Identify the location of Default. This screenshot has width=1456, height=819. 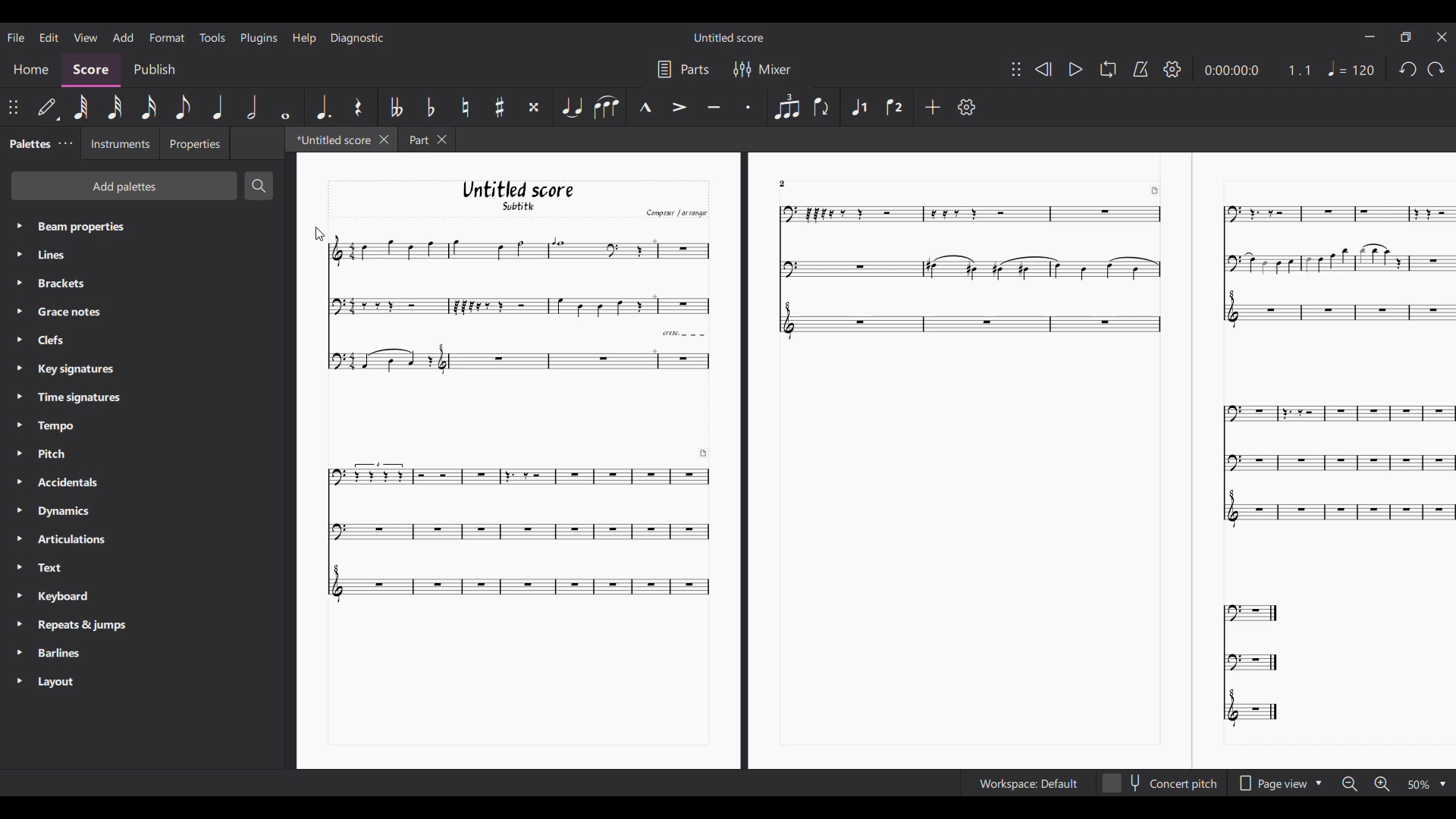
(48, 109).